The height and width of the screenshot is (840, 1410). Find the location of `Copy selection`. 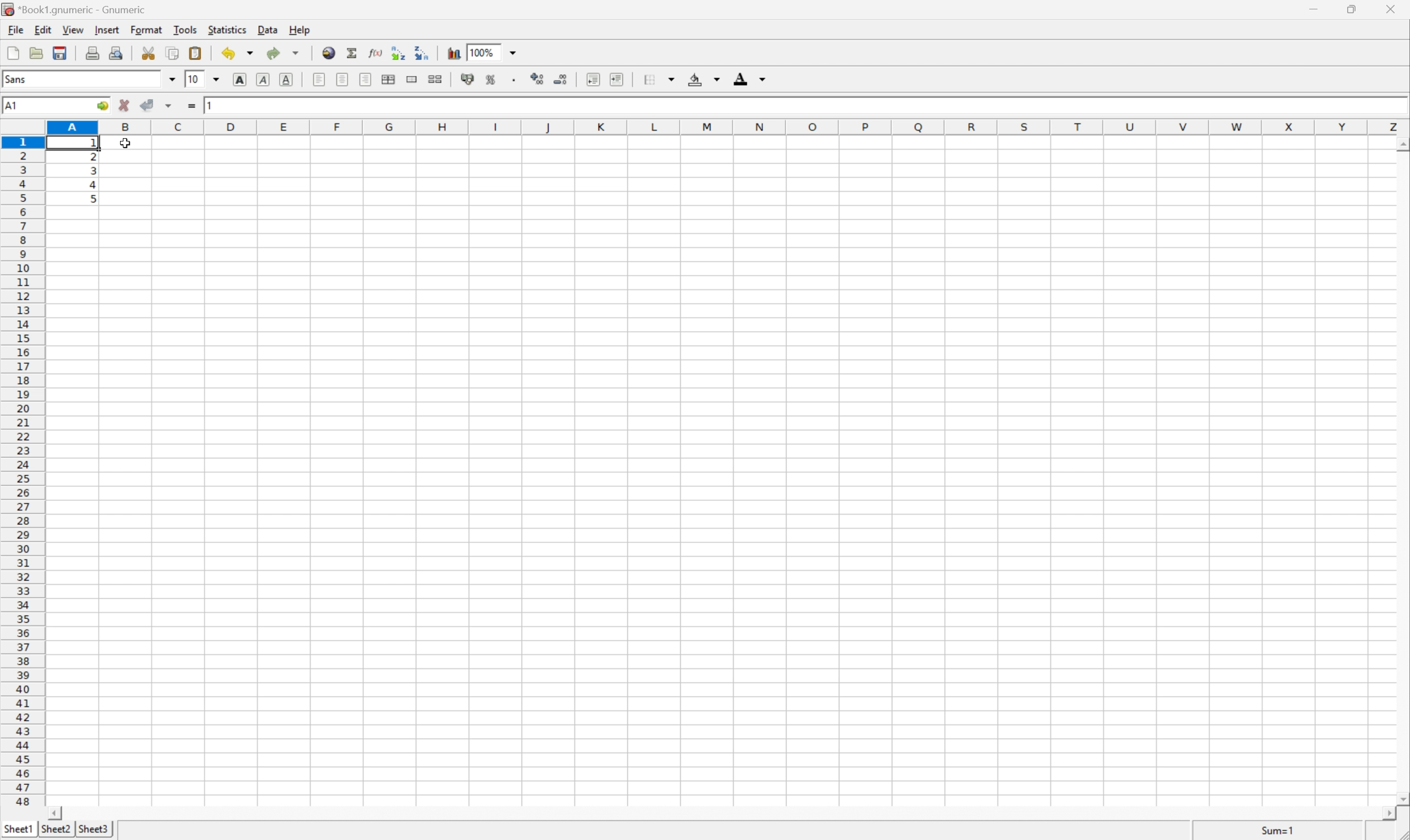

Copy selection is located at coordinates (172, 53).